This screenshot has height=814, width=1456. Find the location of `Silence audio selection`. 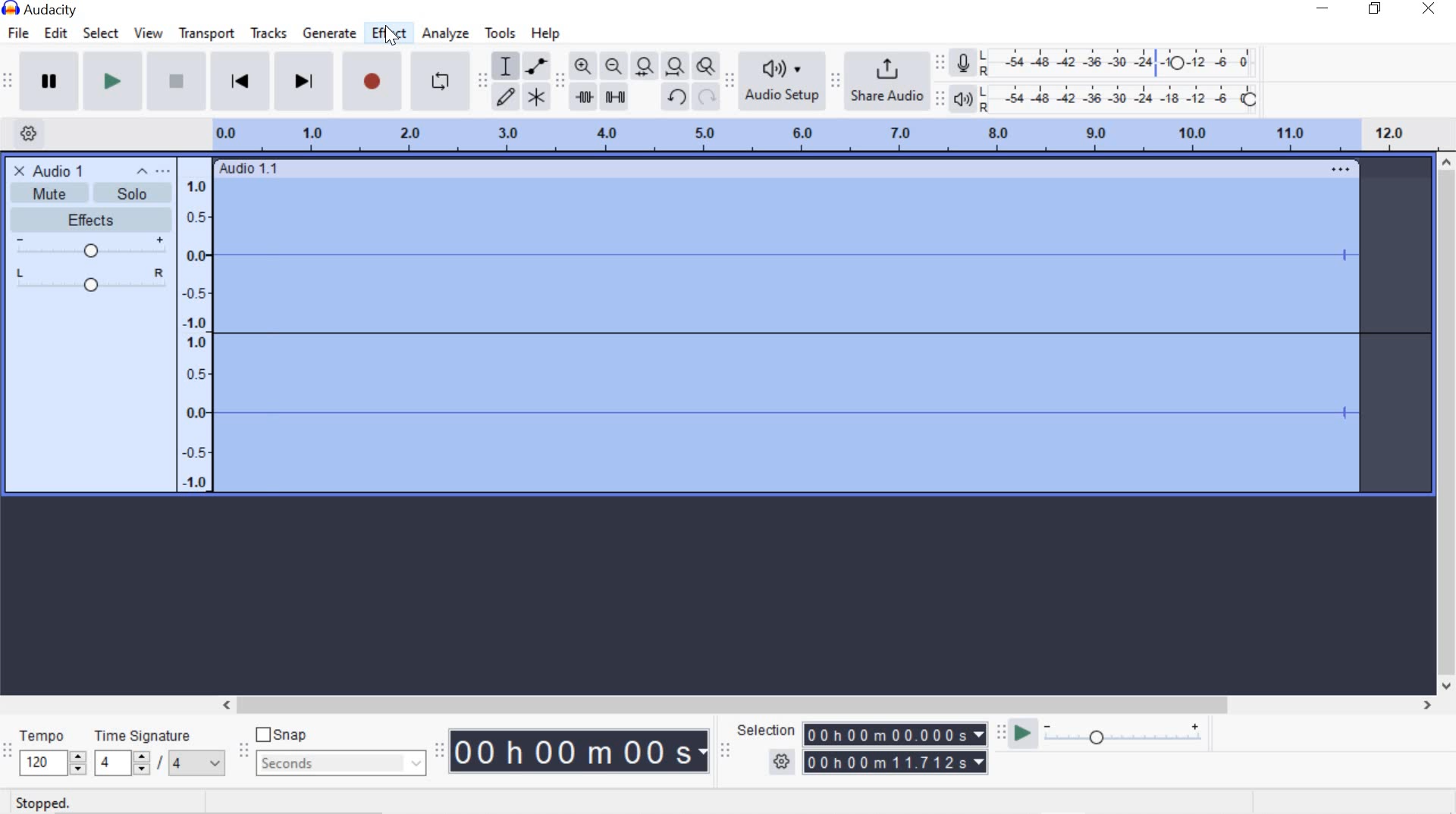

Silence audio selection is located at coordinates (615, 96).